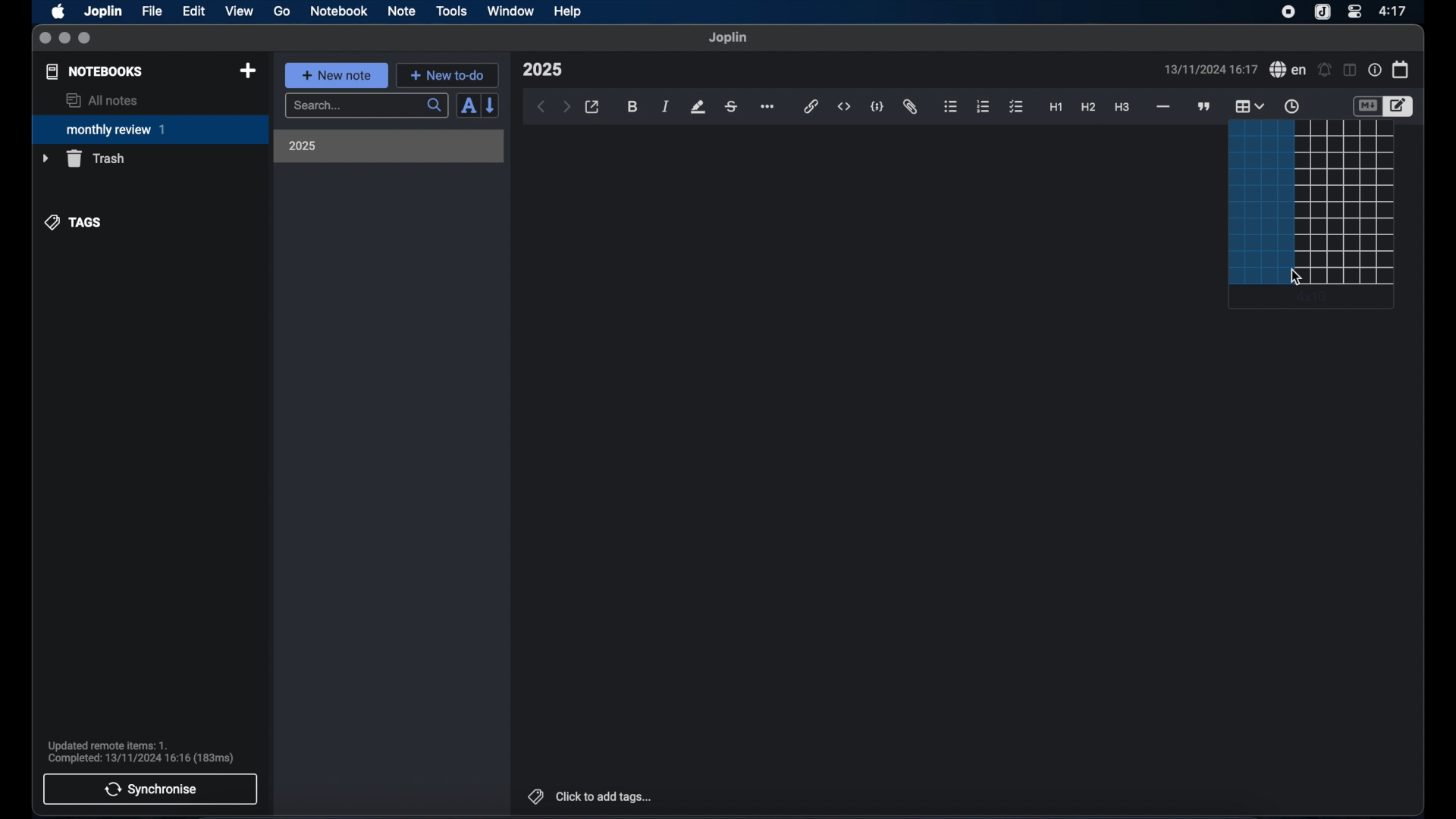 Image resolution: width=1456 pixels, height=819 pixels. I want to click on notebooks, so click(95, 71).